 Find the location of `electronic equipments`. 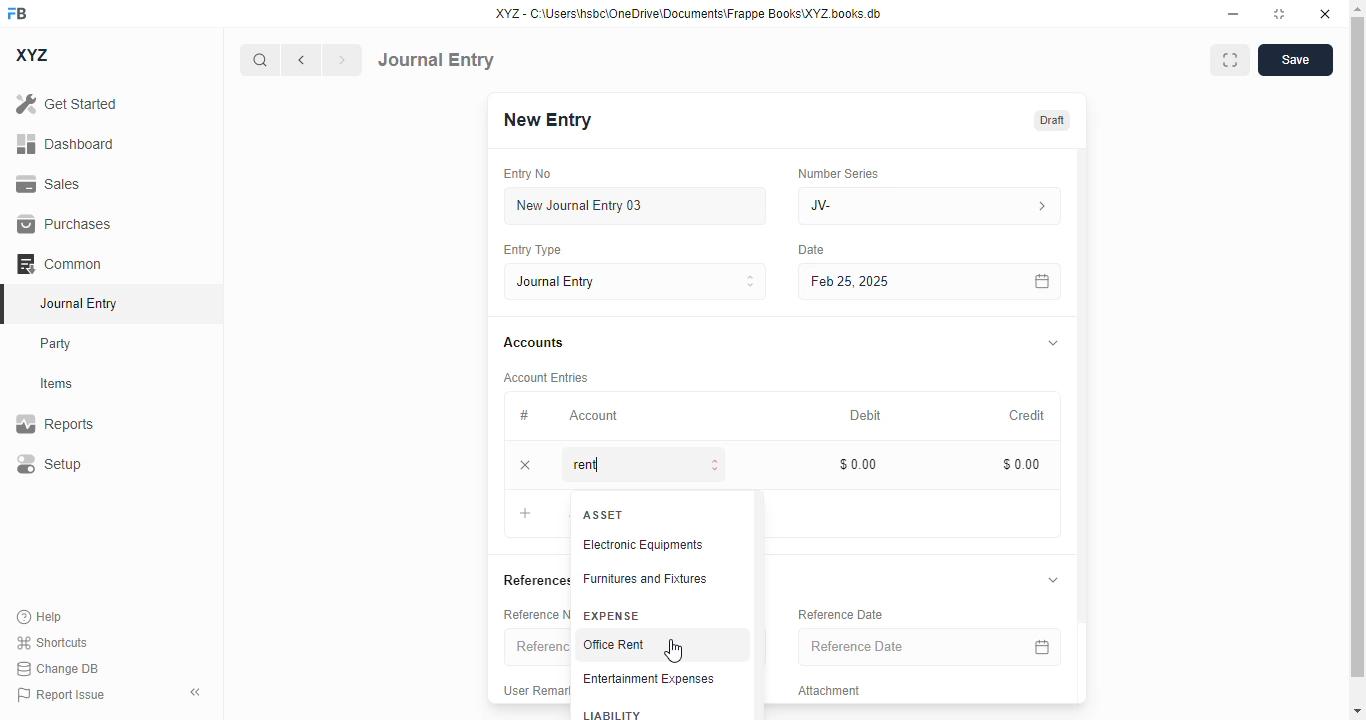

electronic equipments is located at coordinates (643, 544).